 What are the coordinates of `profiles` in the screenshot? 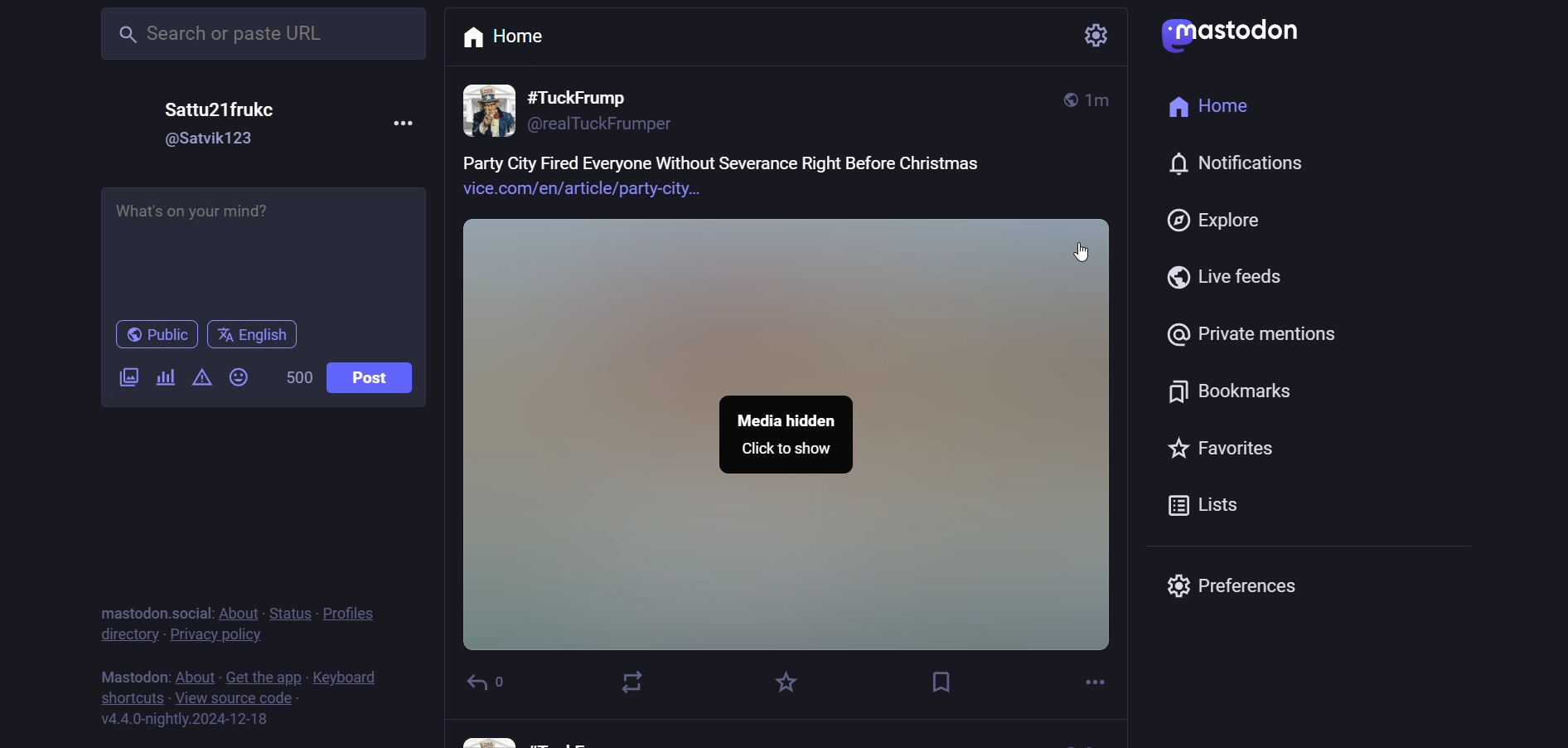 It's located at (356, 610).